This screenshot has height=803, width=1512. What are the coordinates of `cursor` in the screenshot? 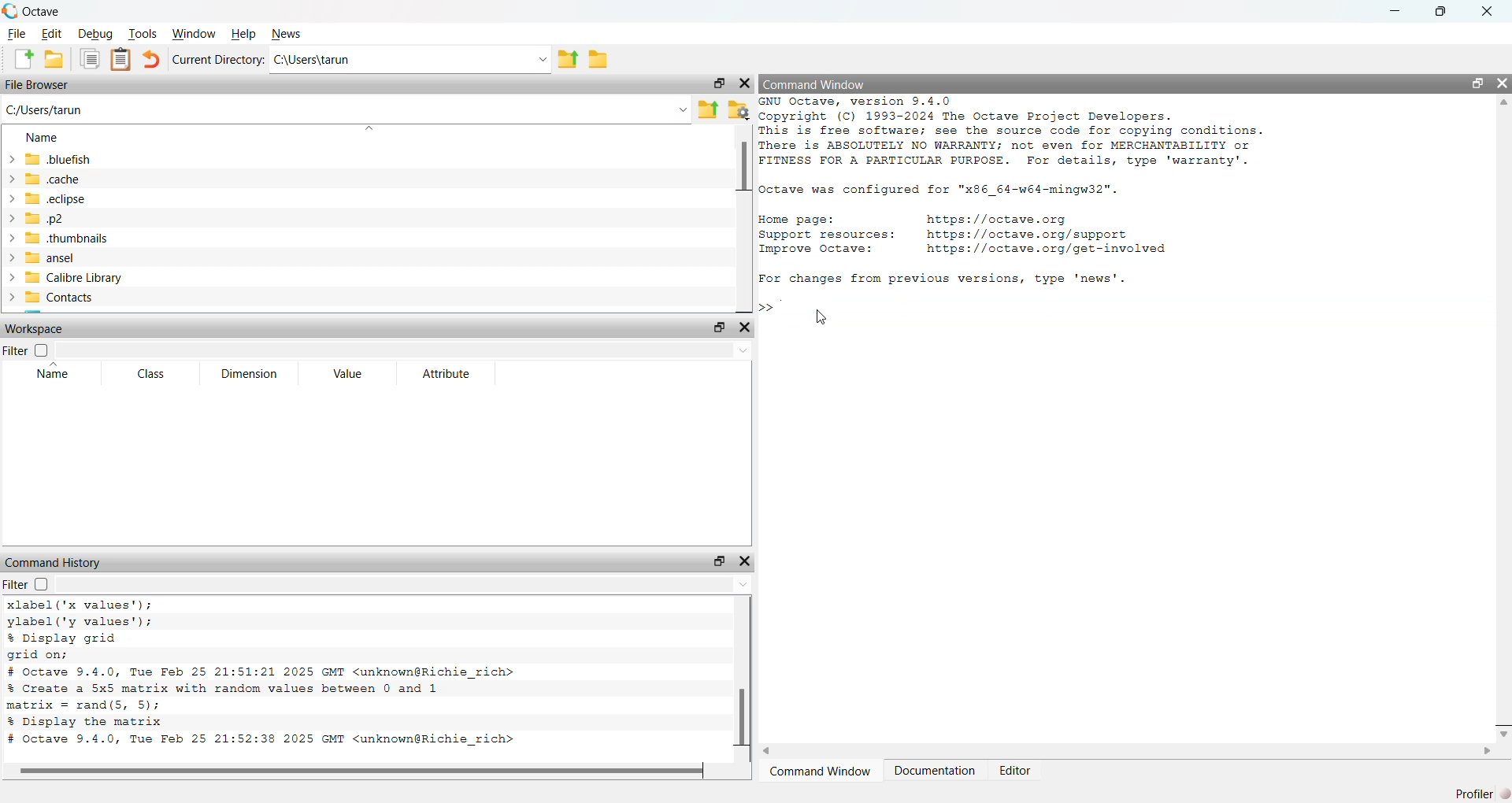 It's located at (821, 318).